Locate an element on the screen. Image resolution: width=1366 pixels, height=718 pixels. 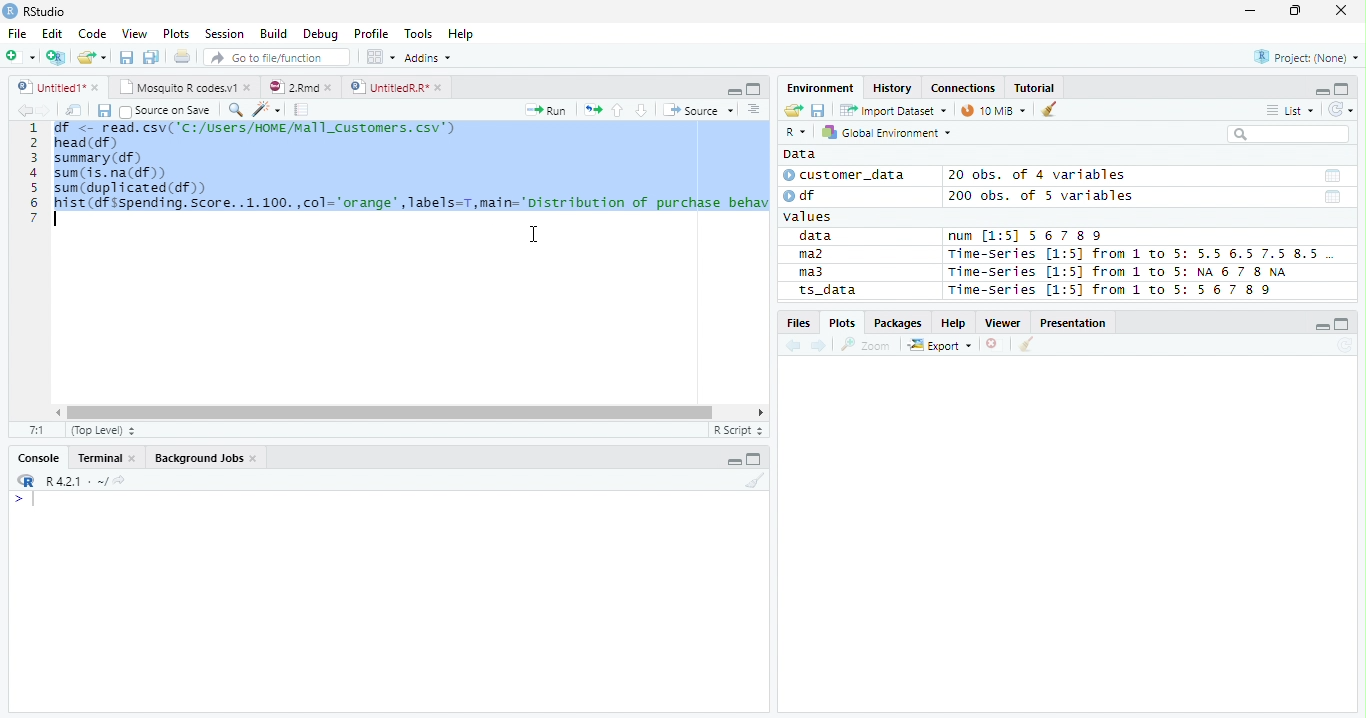
Maximize is located at coordinates (753, 88).